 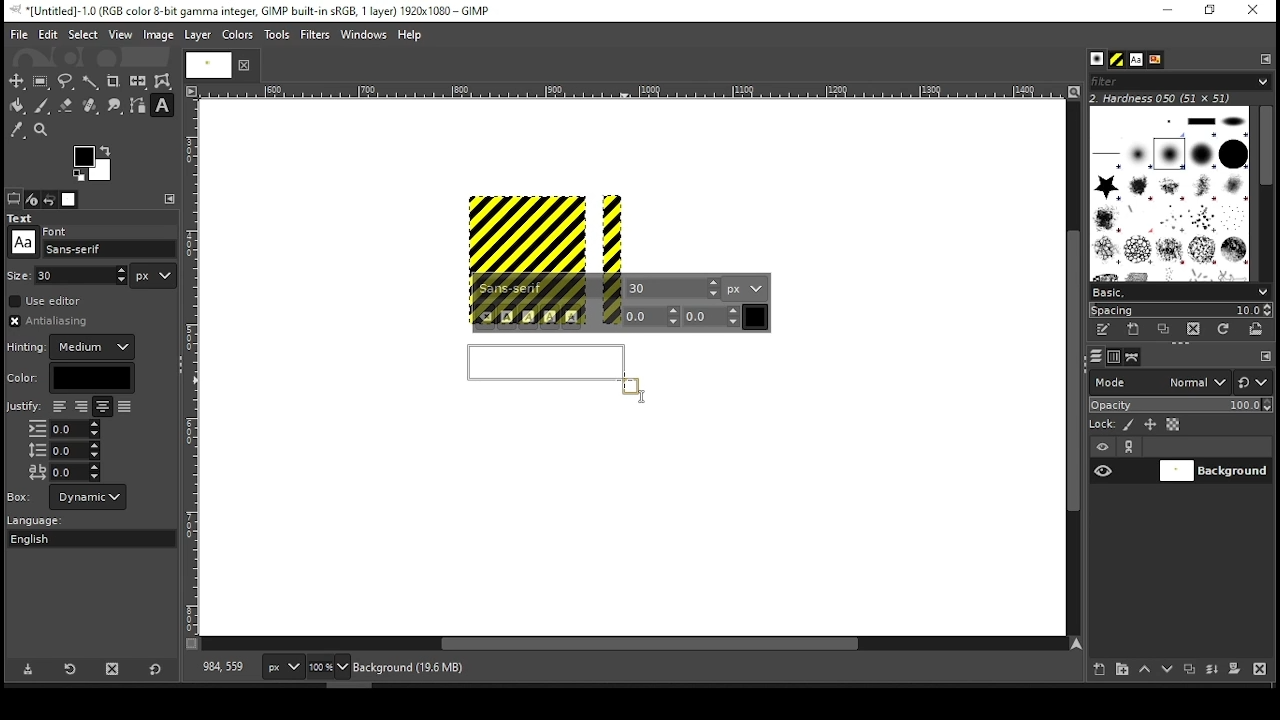 I want to click on mode, so click(x=1159, y=384).